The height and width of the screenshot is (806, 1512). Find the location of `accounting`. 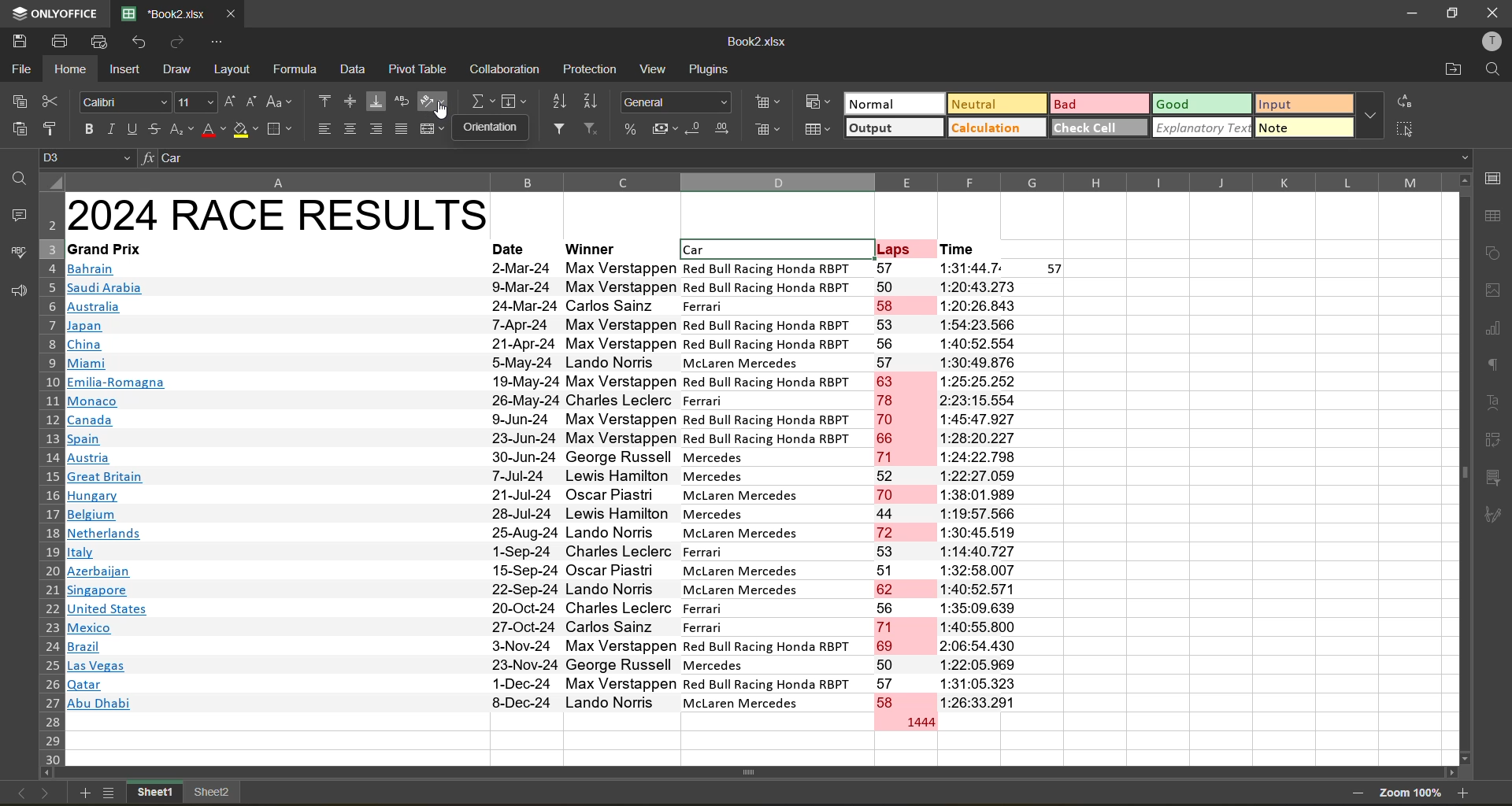

accounting is located at coordinates (665, 129).